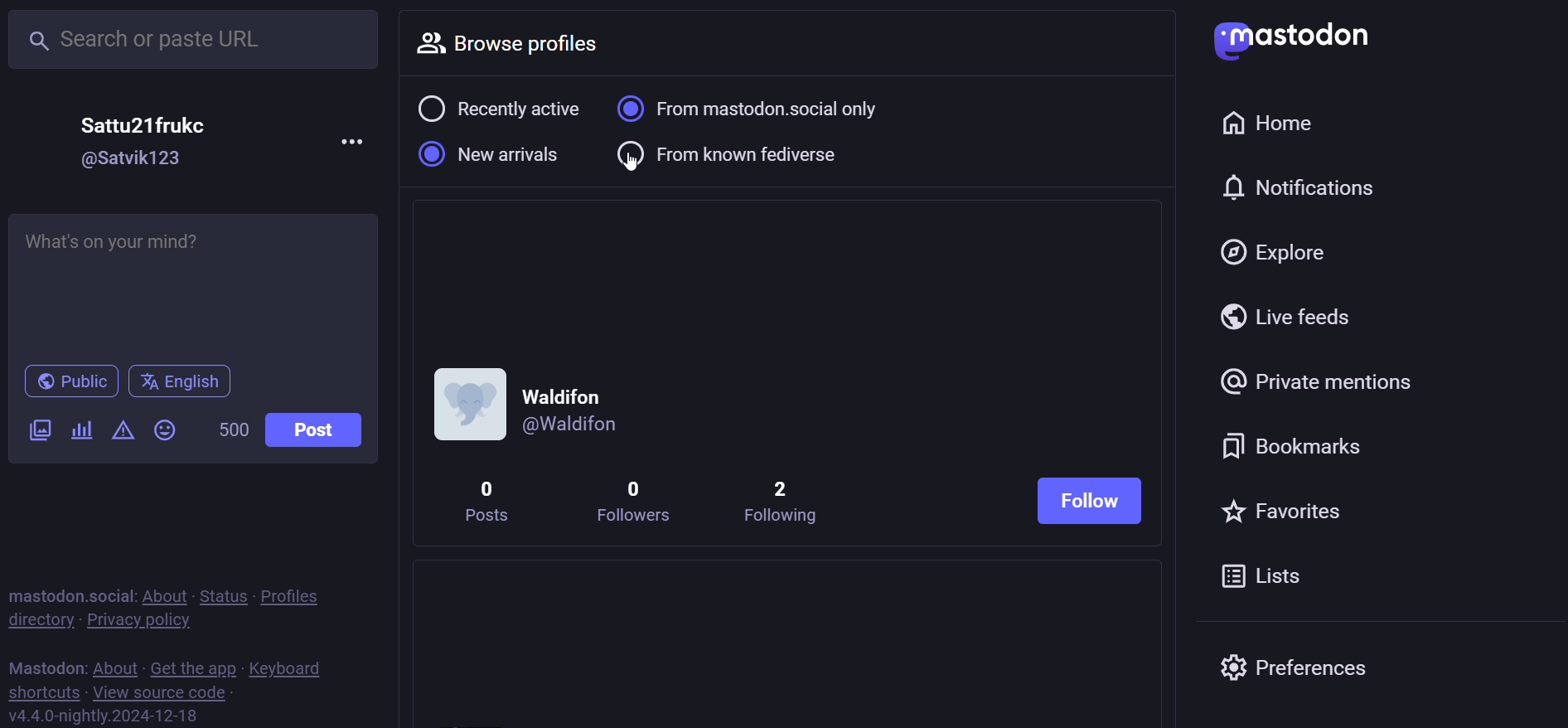  Describe the element at coordinates (1093, 497) in the screenshot. I see `follow` at that location.